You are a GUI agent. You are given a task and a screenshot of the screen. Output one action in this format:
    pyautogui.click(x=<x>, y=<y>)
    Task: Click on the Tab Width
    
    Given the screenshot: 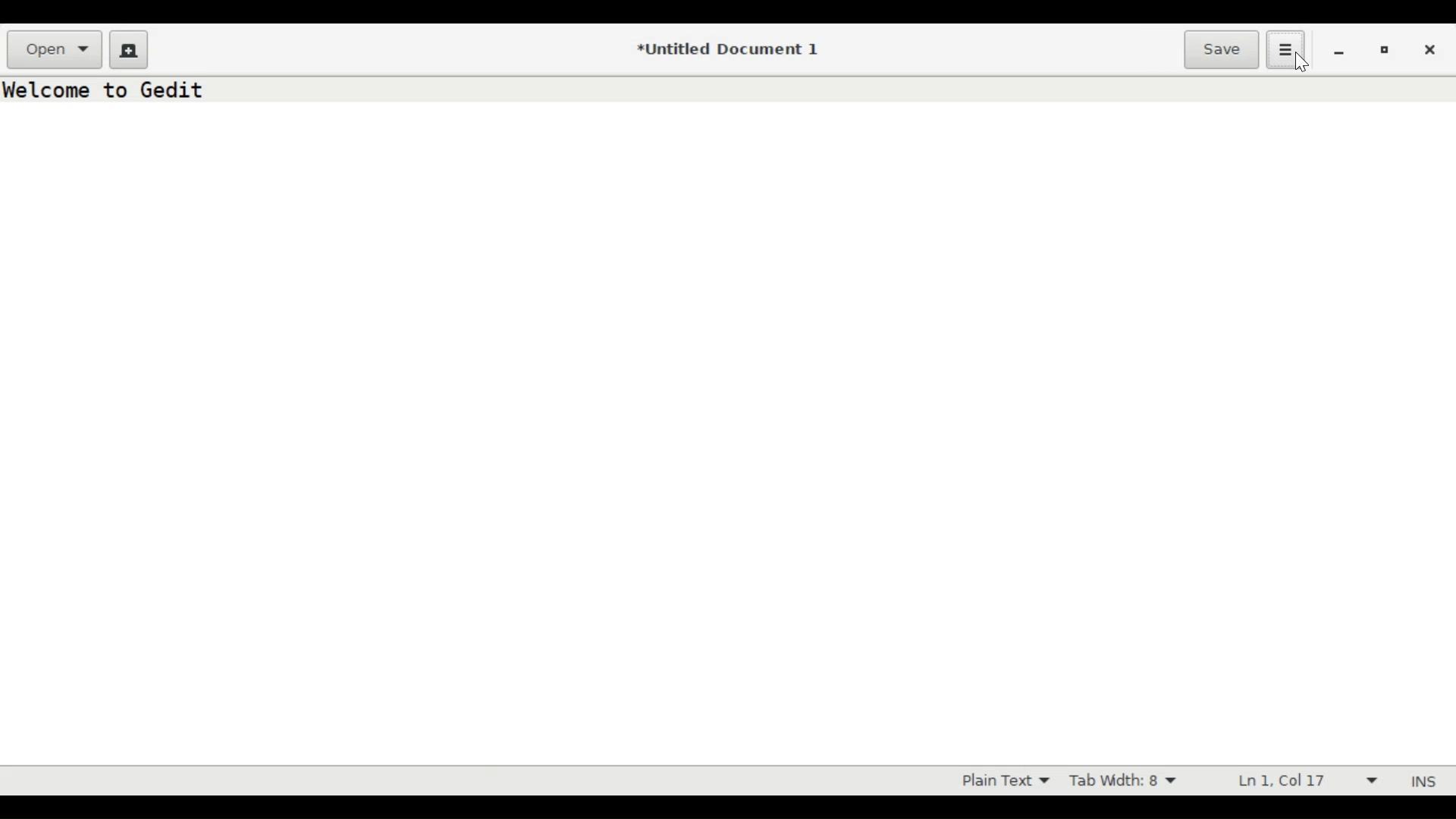 What is the action you would take?
    pyautogui.click(x=1130, y=781)
    